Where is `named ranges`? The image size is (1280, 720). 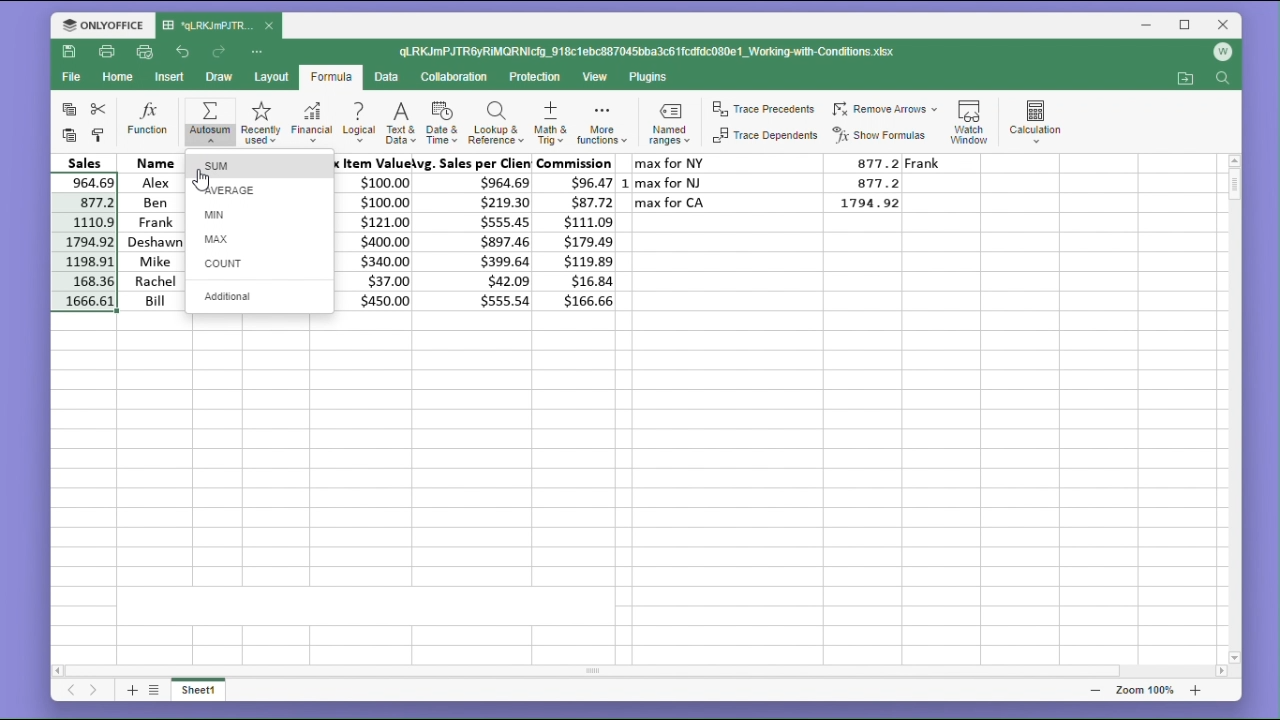 named ranges is located at coordinates (667, 126).